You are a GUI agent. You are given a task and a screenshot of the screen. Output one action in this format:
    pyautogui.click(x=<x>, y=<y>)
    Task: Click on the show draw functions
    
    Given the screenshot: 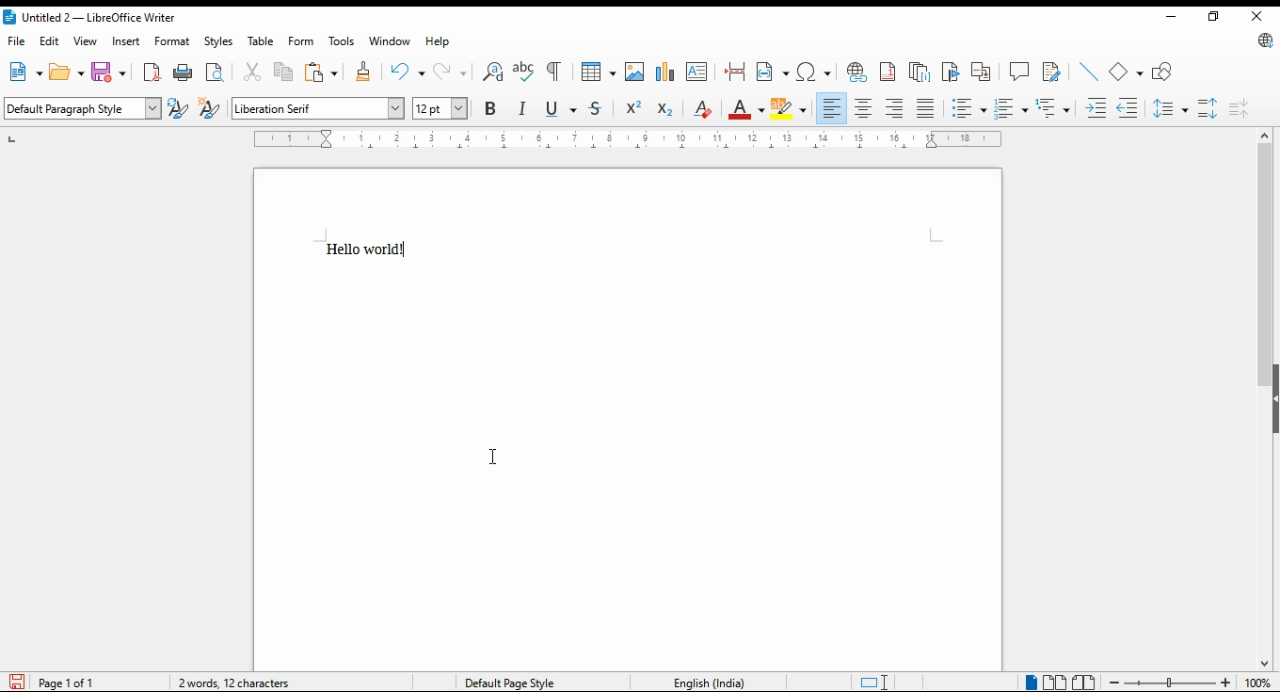 What is the action you would take?
    pyautogui.click(x=1166, y=69)
    